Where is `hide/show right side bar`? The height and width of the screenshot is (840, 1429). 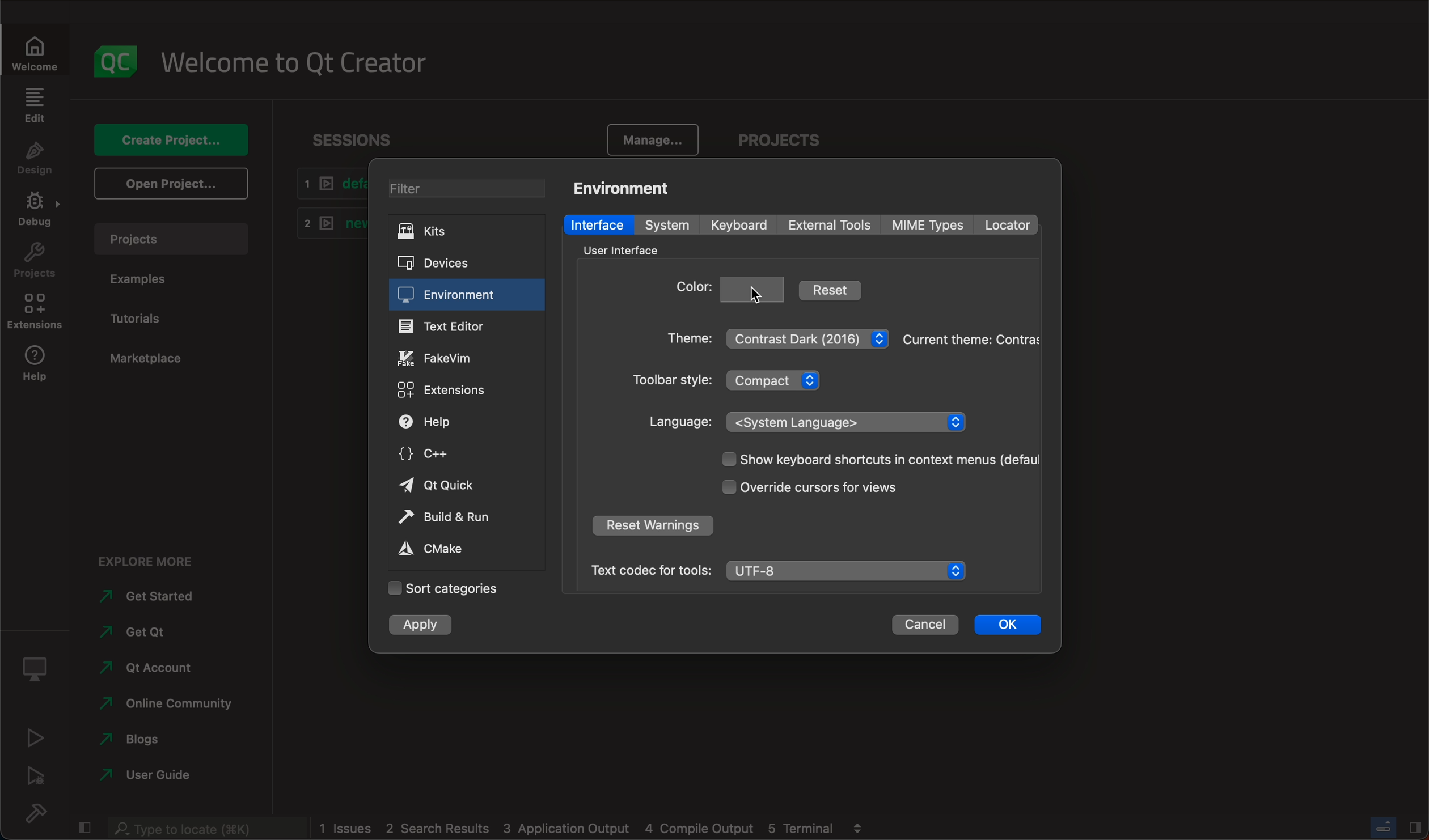 hide/show right side bar is located at coordinates (1415, 826).